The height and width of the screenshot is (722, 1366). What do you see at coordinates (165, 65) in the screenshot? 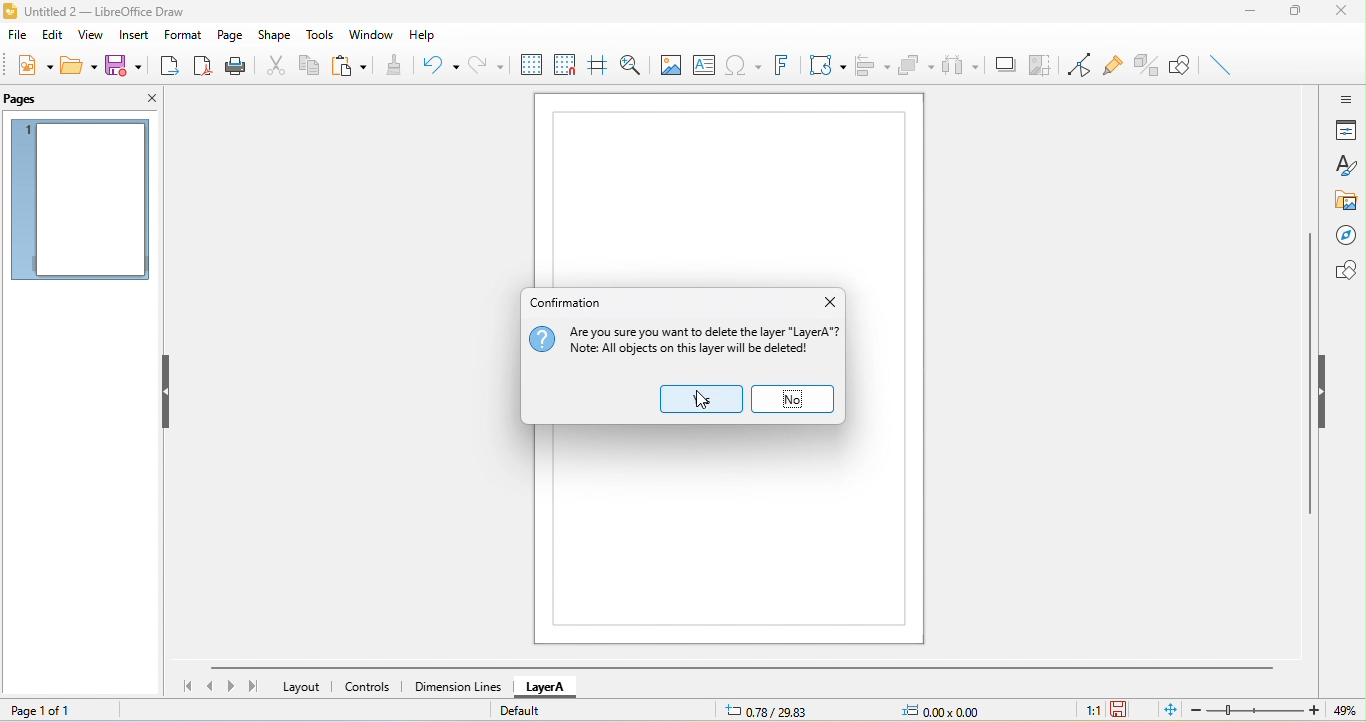
I see `export` at bounding box center [165, 65].